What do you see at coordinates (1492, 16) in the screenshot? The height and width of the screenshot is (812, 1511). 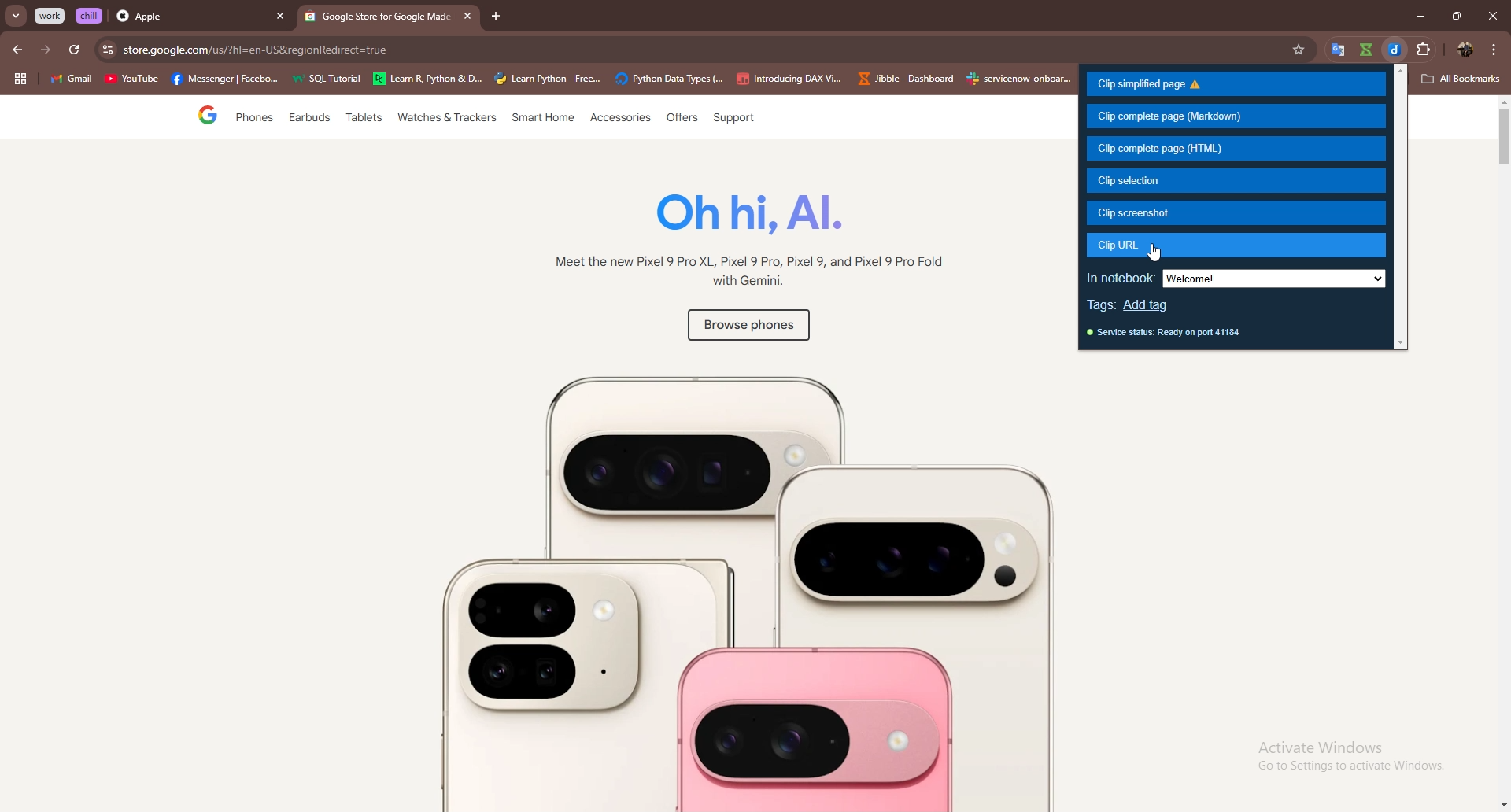 I see `close` at bounding box center [1492, 16].